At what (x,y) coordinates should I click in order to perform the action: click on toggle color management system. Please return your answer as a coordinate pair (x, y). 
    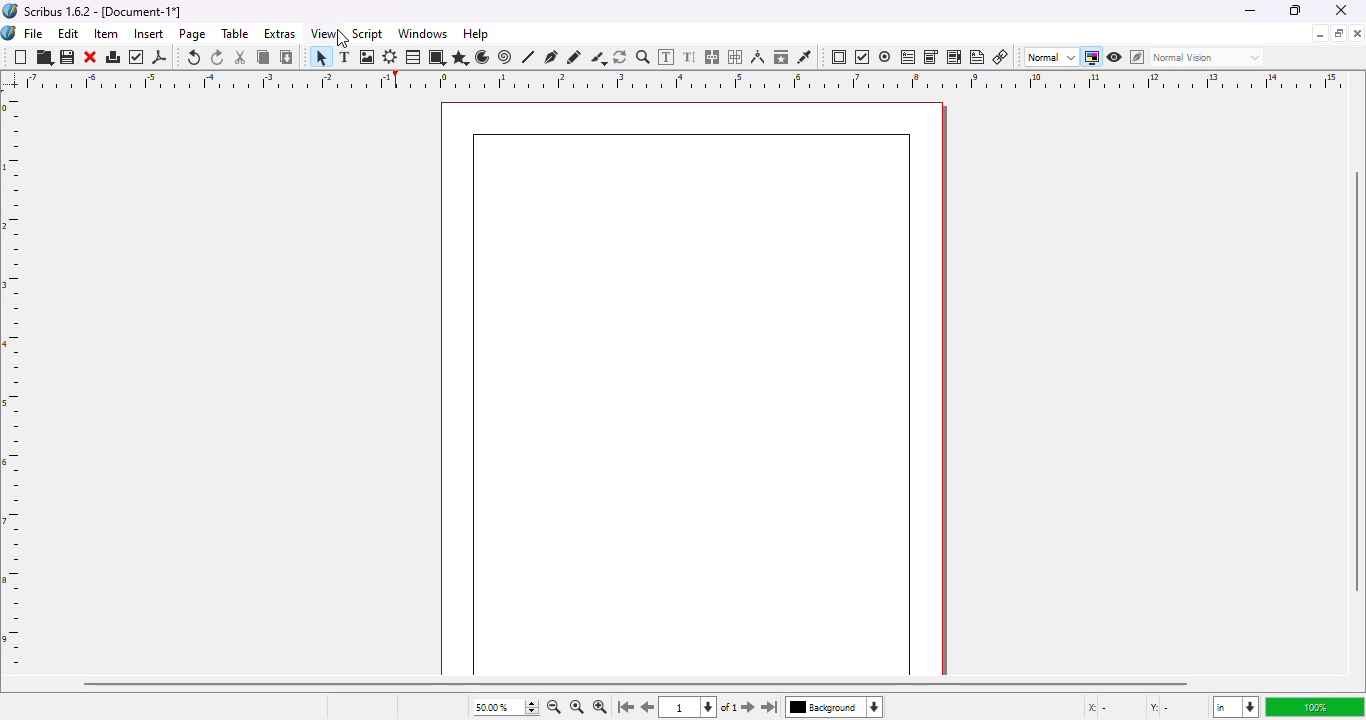
    Looking at the image, I should click on (1091, 57).